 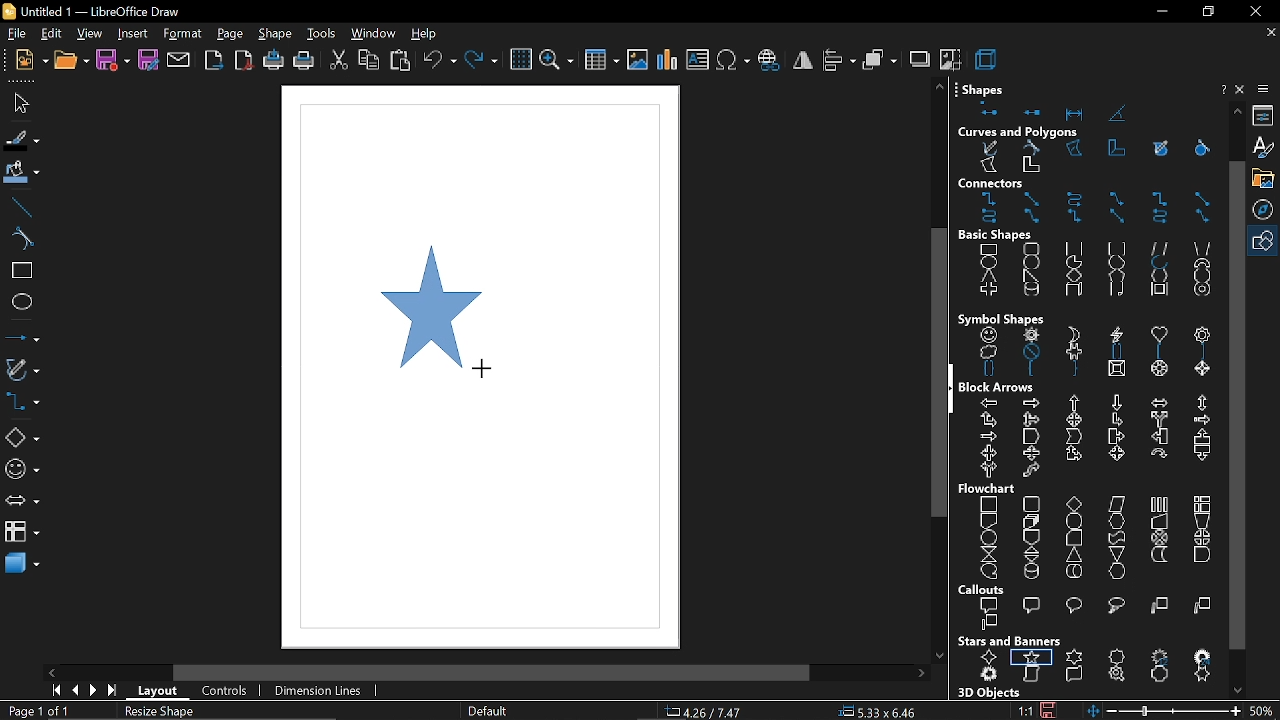 I want to click on symbol shapes, so click(x=1090, y=352).